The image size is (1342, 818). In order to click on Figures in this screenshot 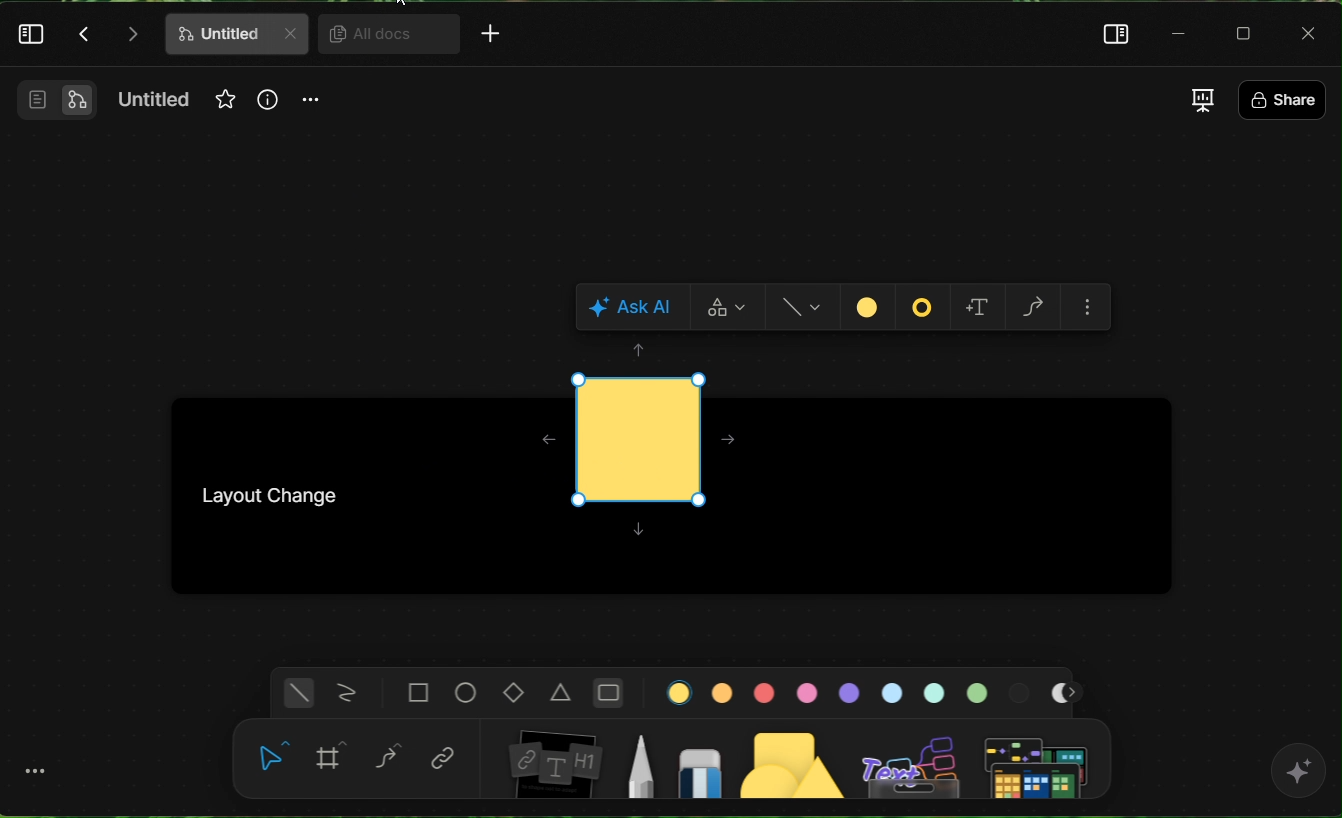, I will do `click(923, 306)`.